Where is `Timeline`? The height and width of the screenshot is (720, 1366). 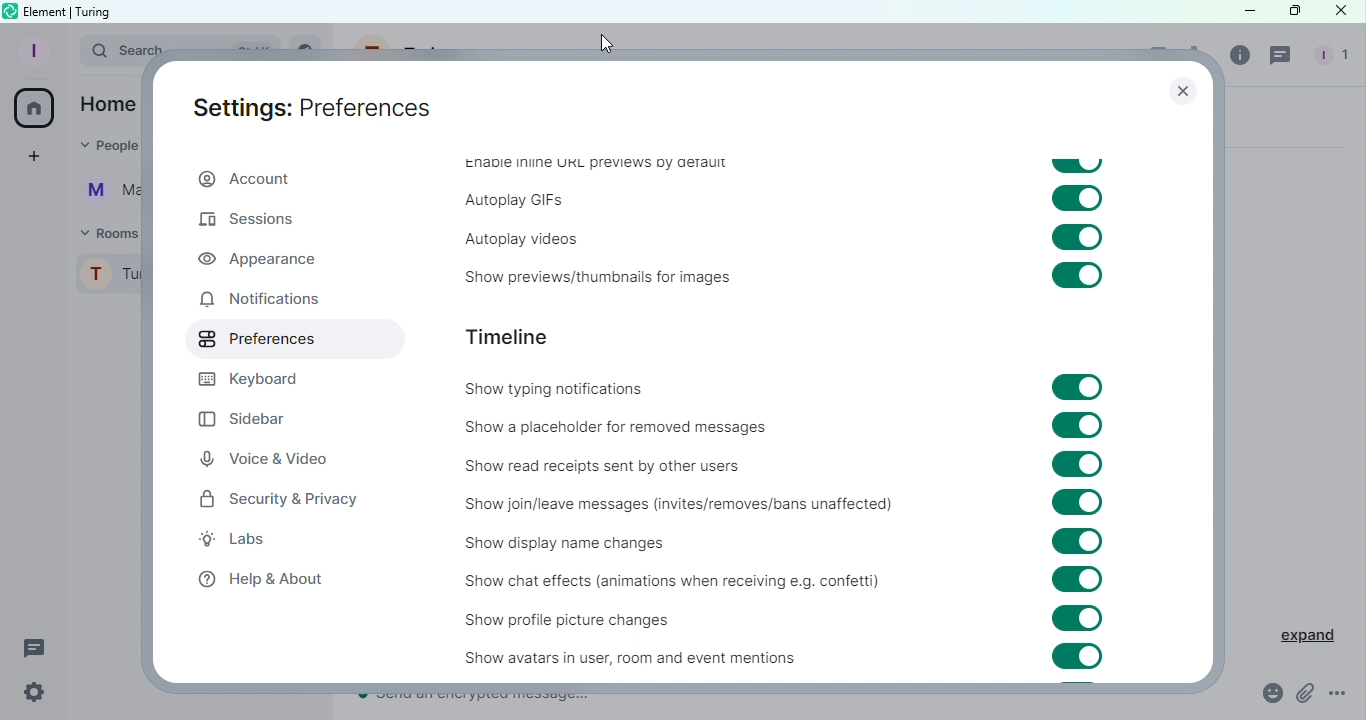 Timeline is located at coordinates (514, 336).